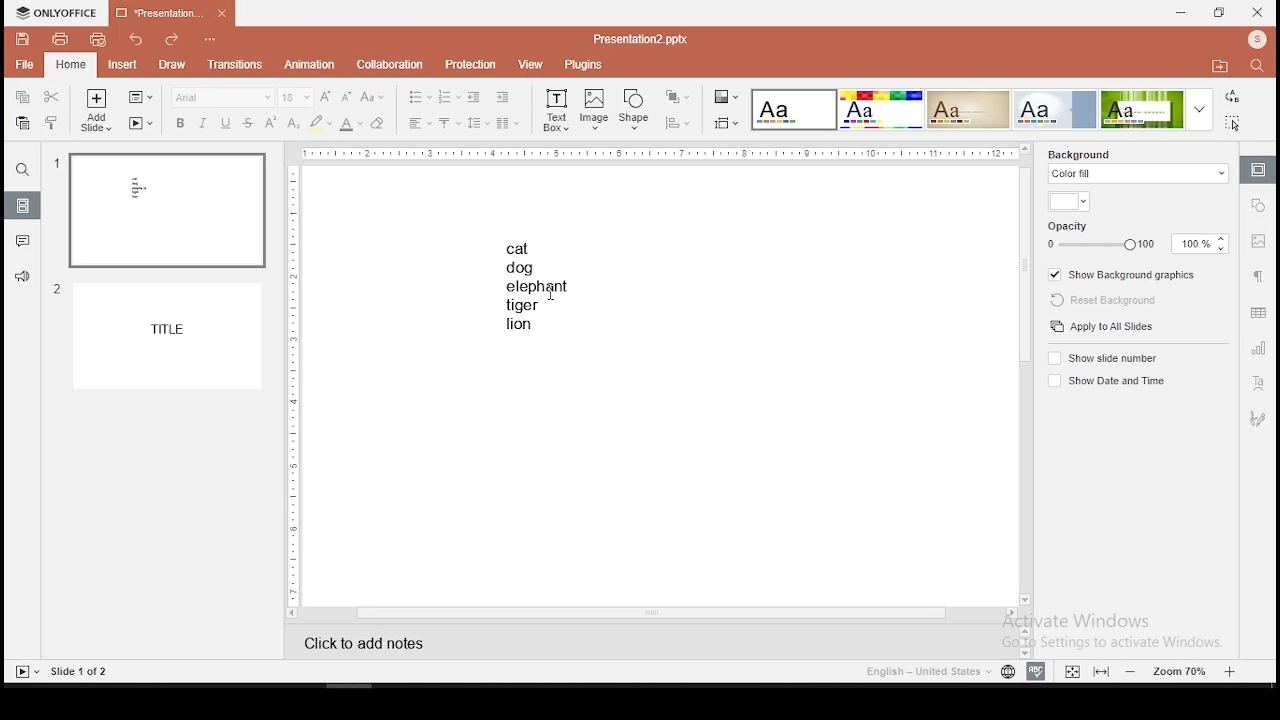 This screenshot has height=720, width=1280. I want to click on replace, so click(1232, 97).